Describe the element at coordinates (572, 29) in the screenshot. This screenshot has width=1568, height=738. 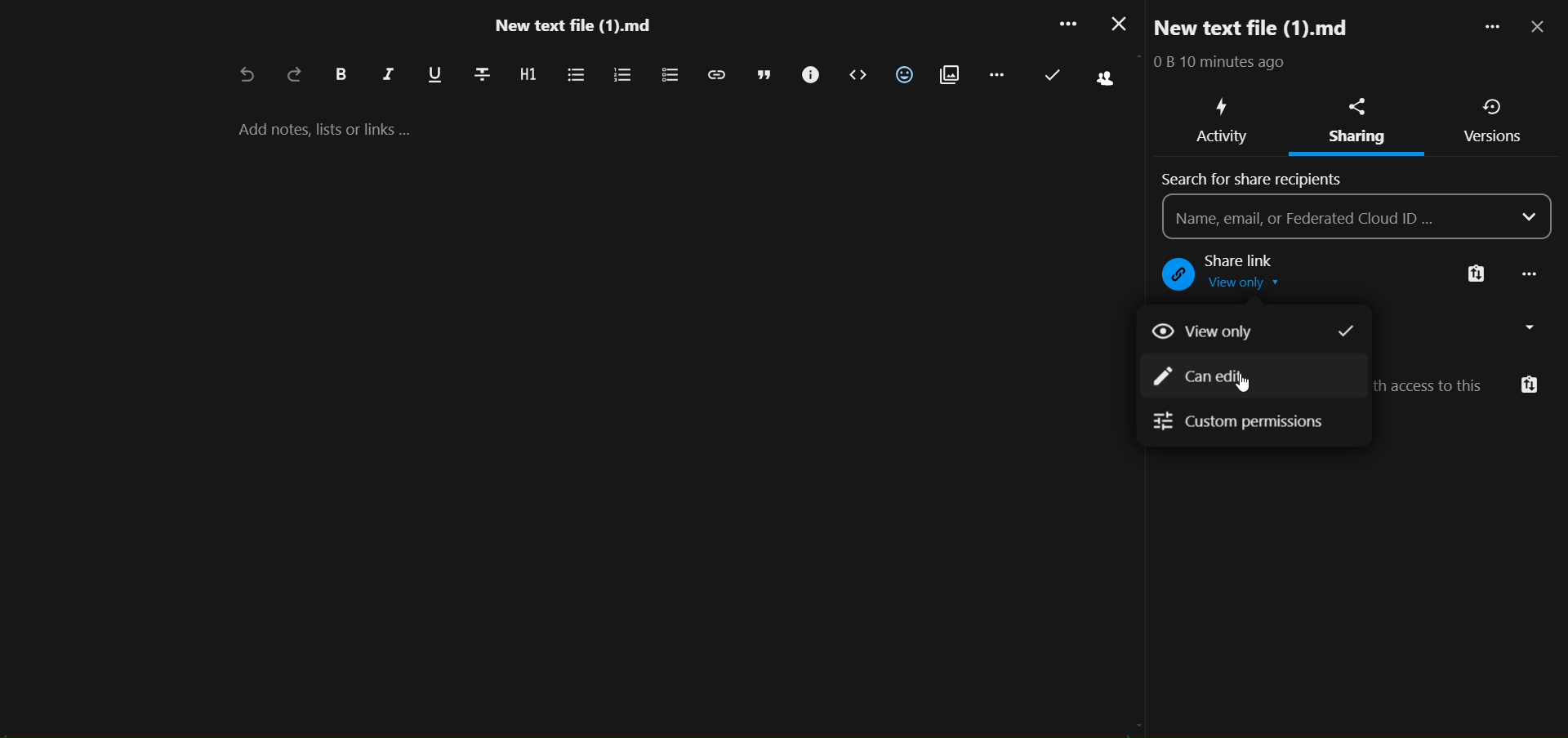
I see `file name` at that location.